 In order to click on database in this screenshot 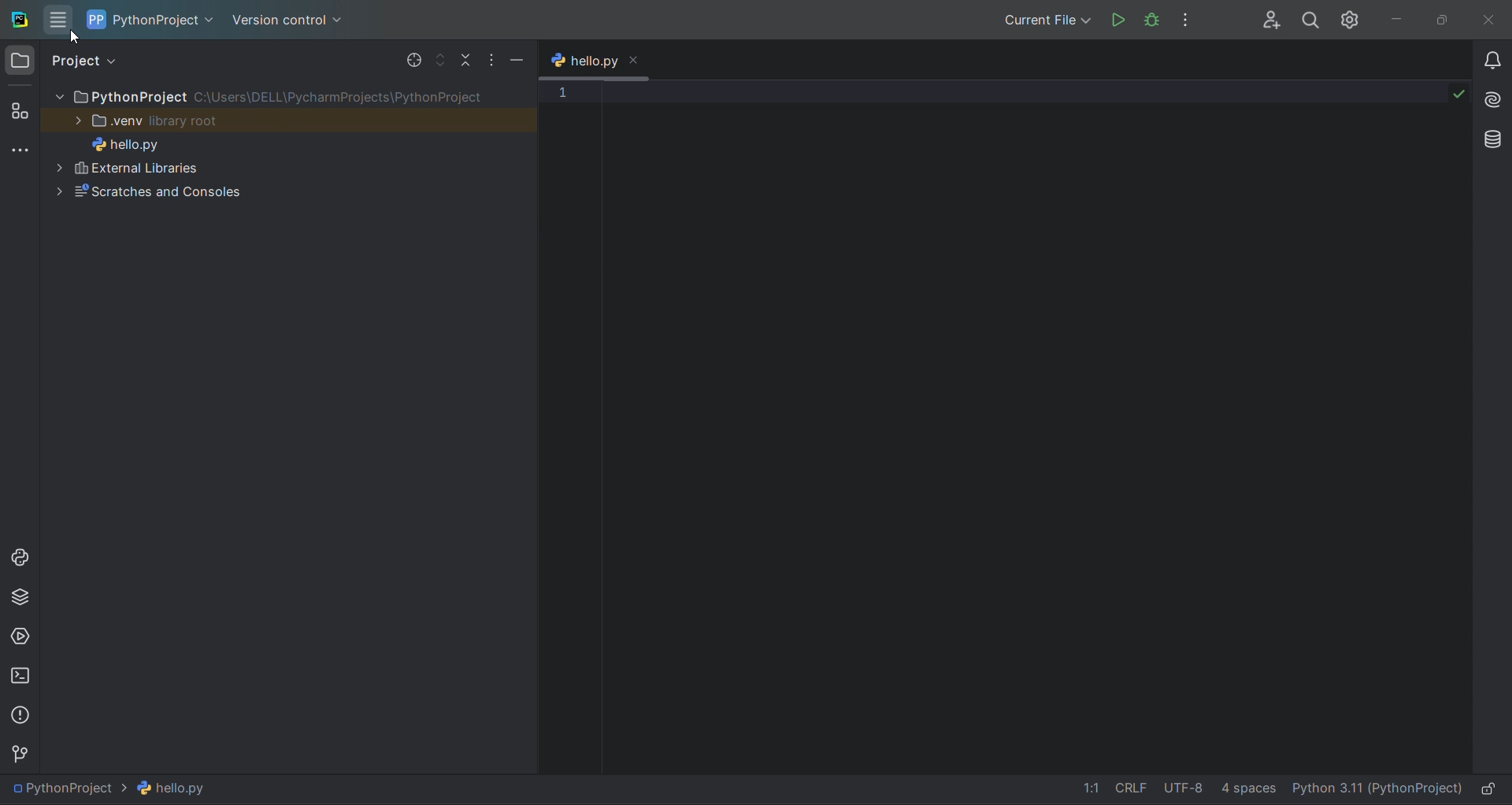, I will do `click(1492, 141)`.